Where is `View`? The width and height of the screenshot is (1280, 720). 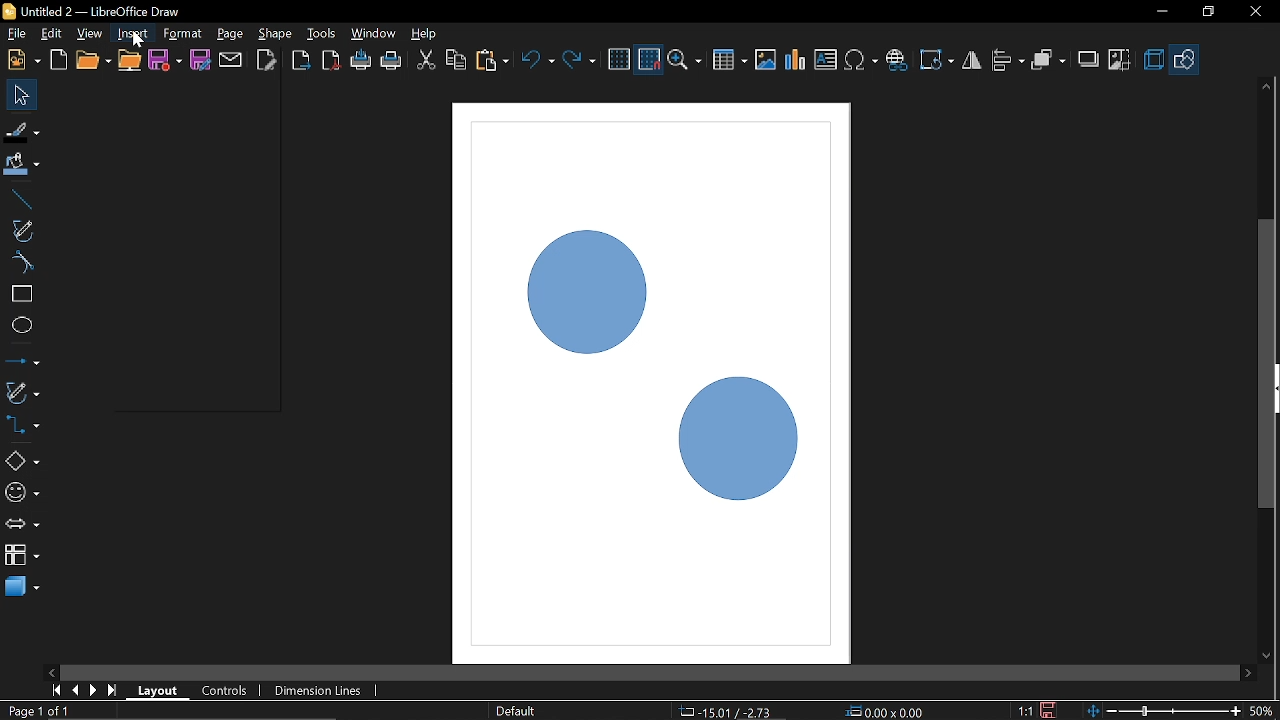 View is located at coordinates (92, 34).